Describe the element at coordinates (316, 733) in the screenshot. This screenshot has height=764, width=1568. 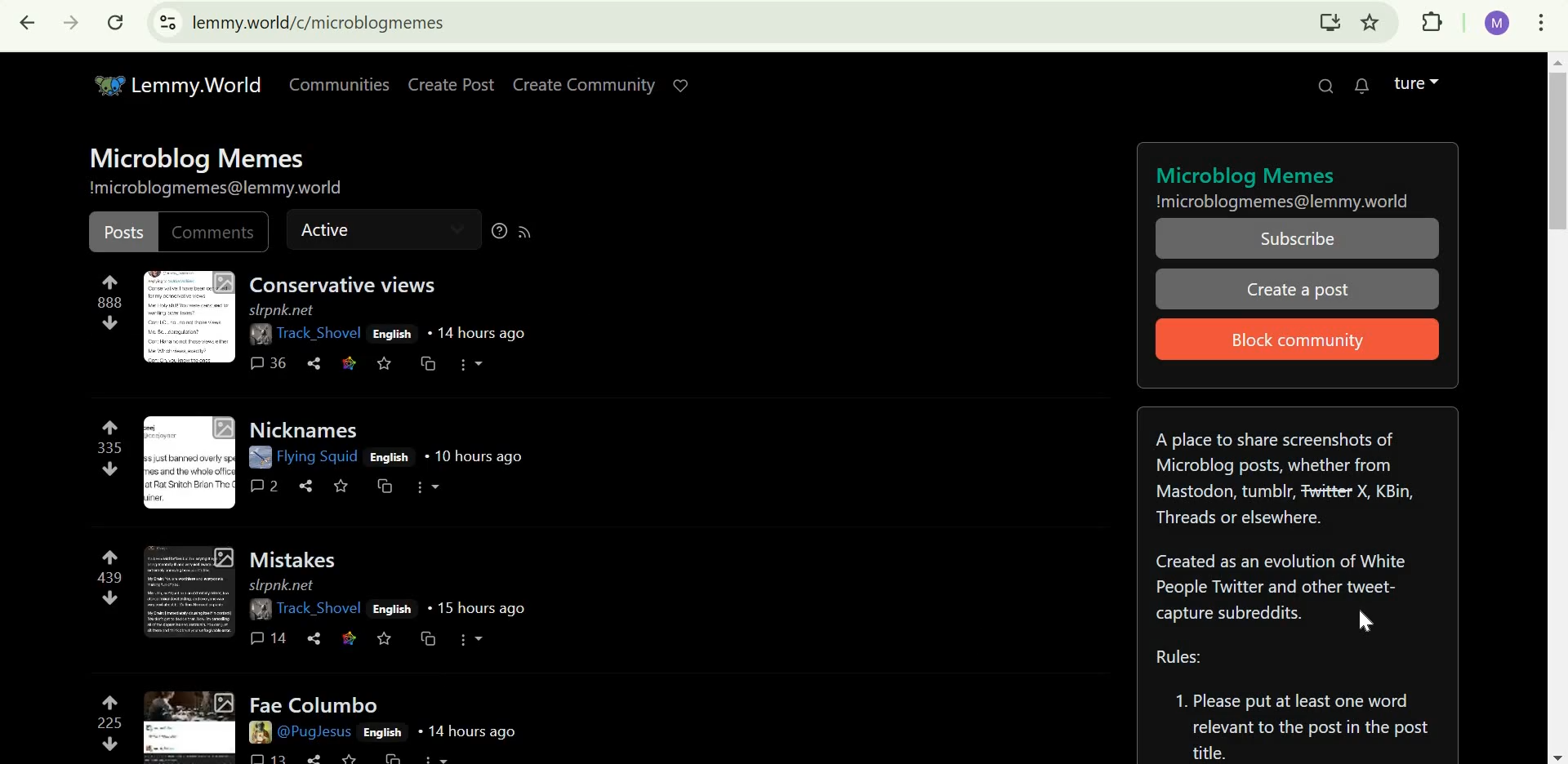
I see `user ID` at that location.